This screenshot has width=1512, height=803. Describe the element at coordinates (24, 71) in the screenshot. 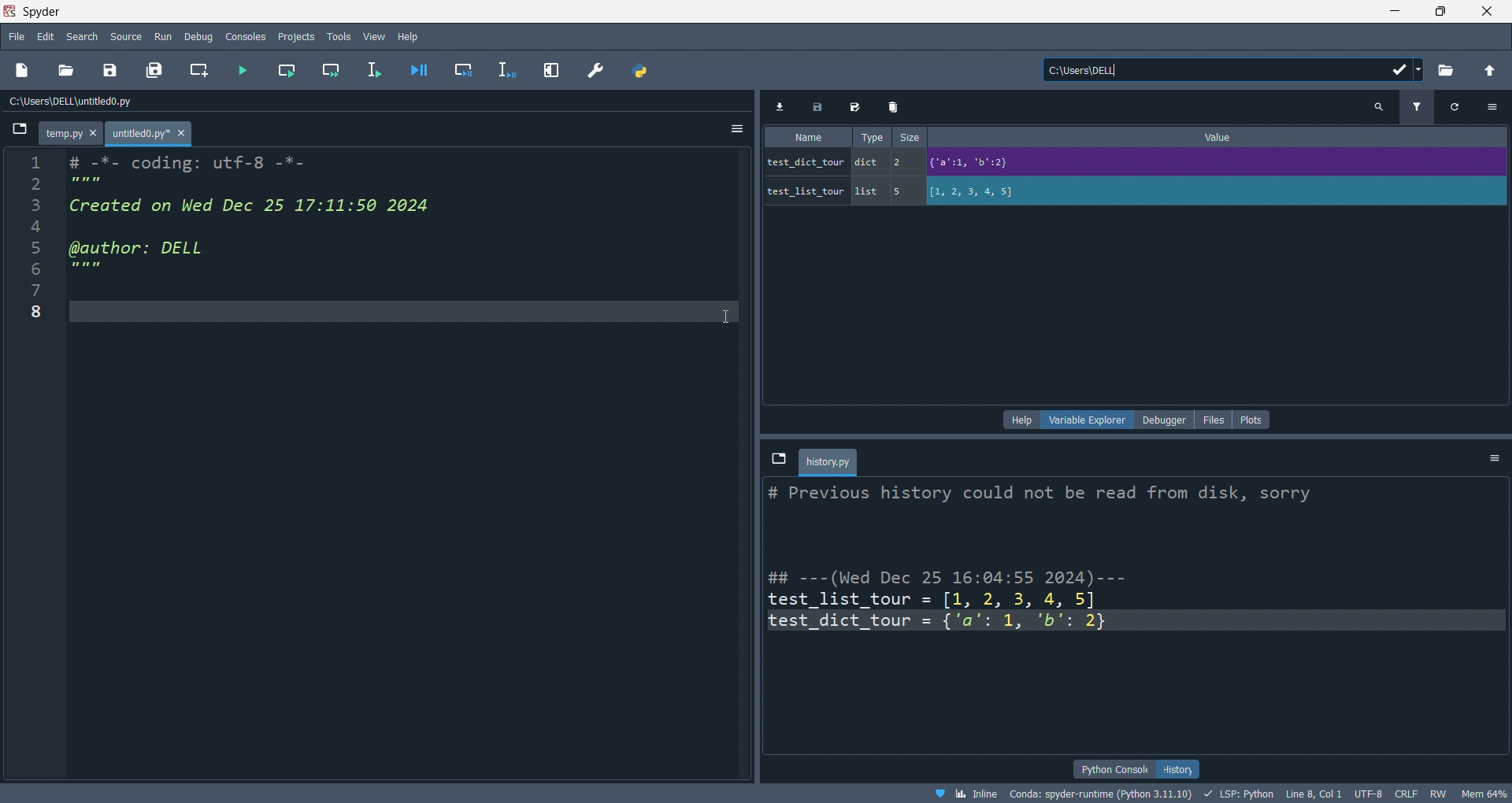

I see `new file` at that location.